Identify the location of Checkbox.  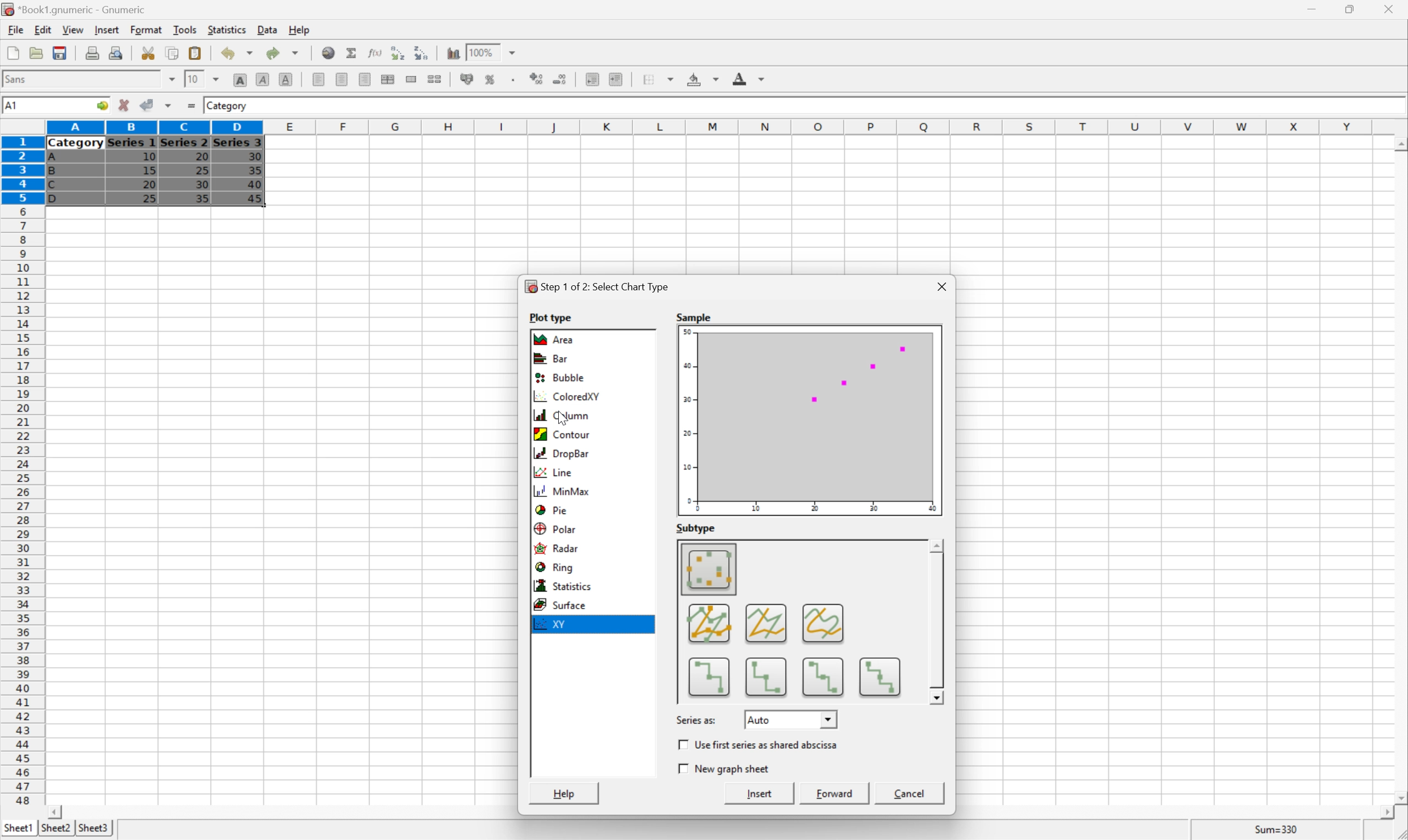
(681, 744).